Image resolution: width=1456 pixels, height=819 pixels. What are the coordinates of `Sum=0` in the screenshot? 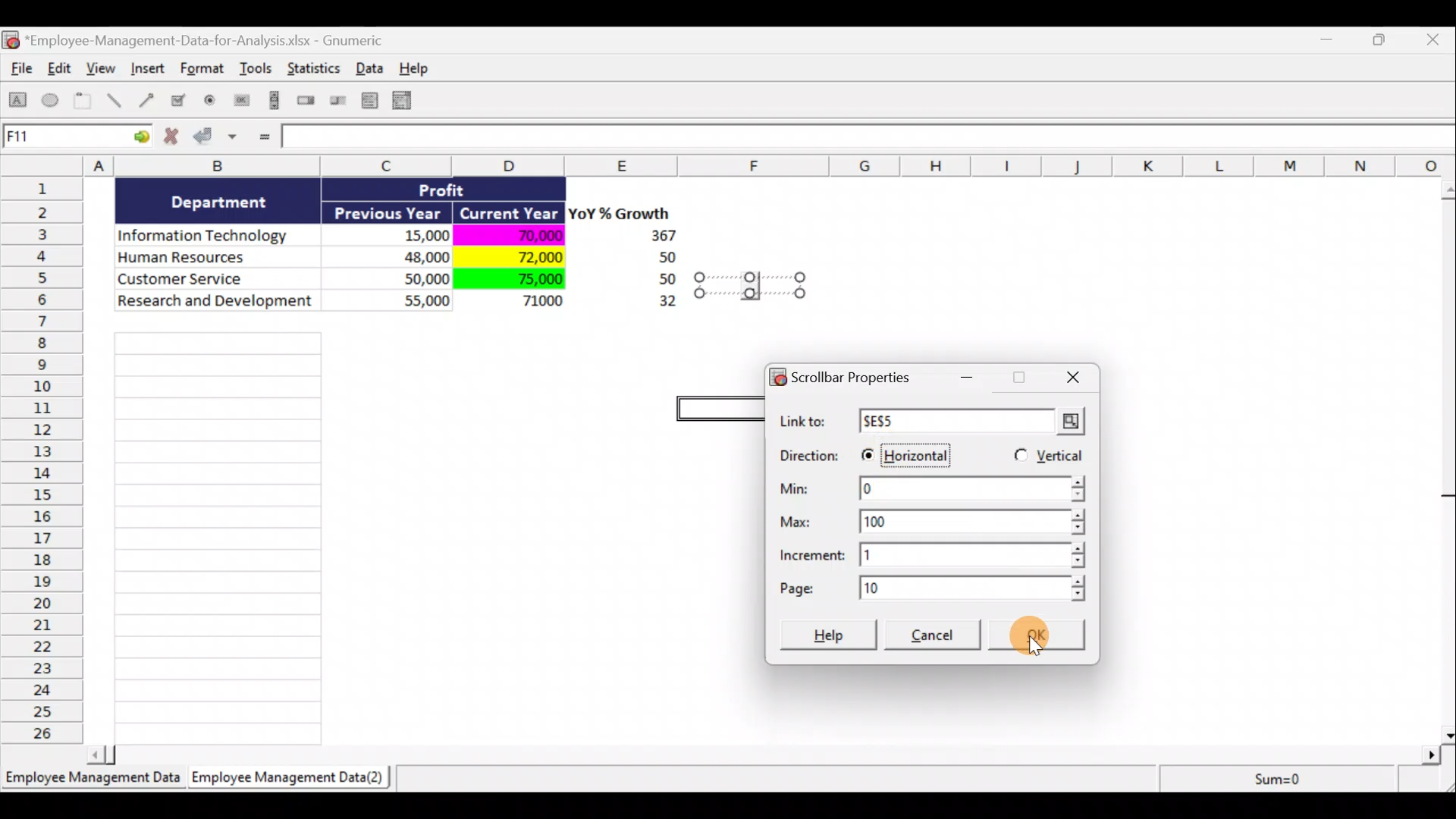 It's located at (1275, 779).